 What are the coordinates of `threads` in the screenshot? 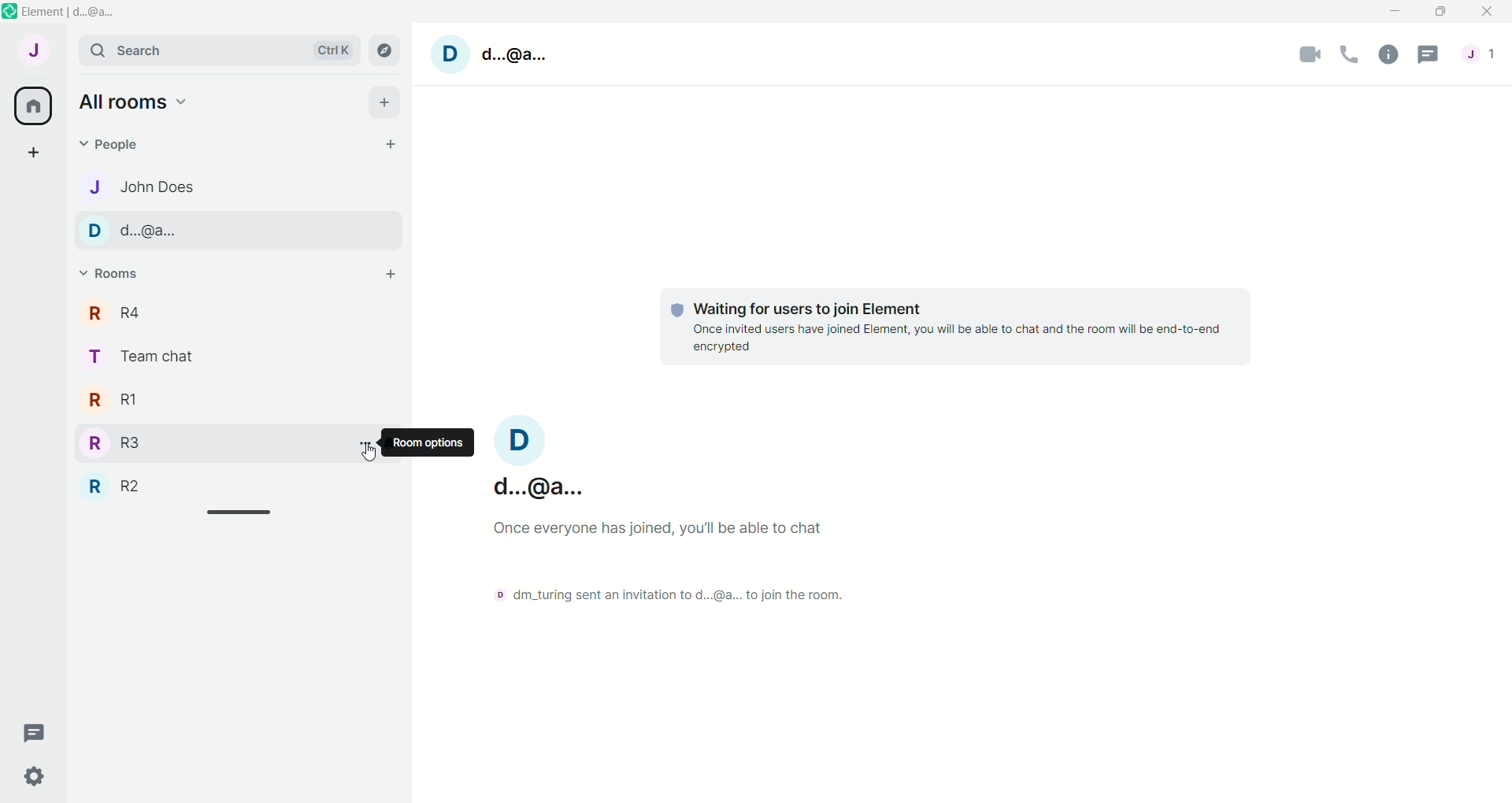 It's located at (39, 734).